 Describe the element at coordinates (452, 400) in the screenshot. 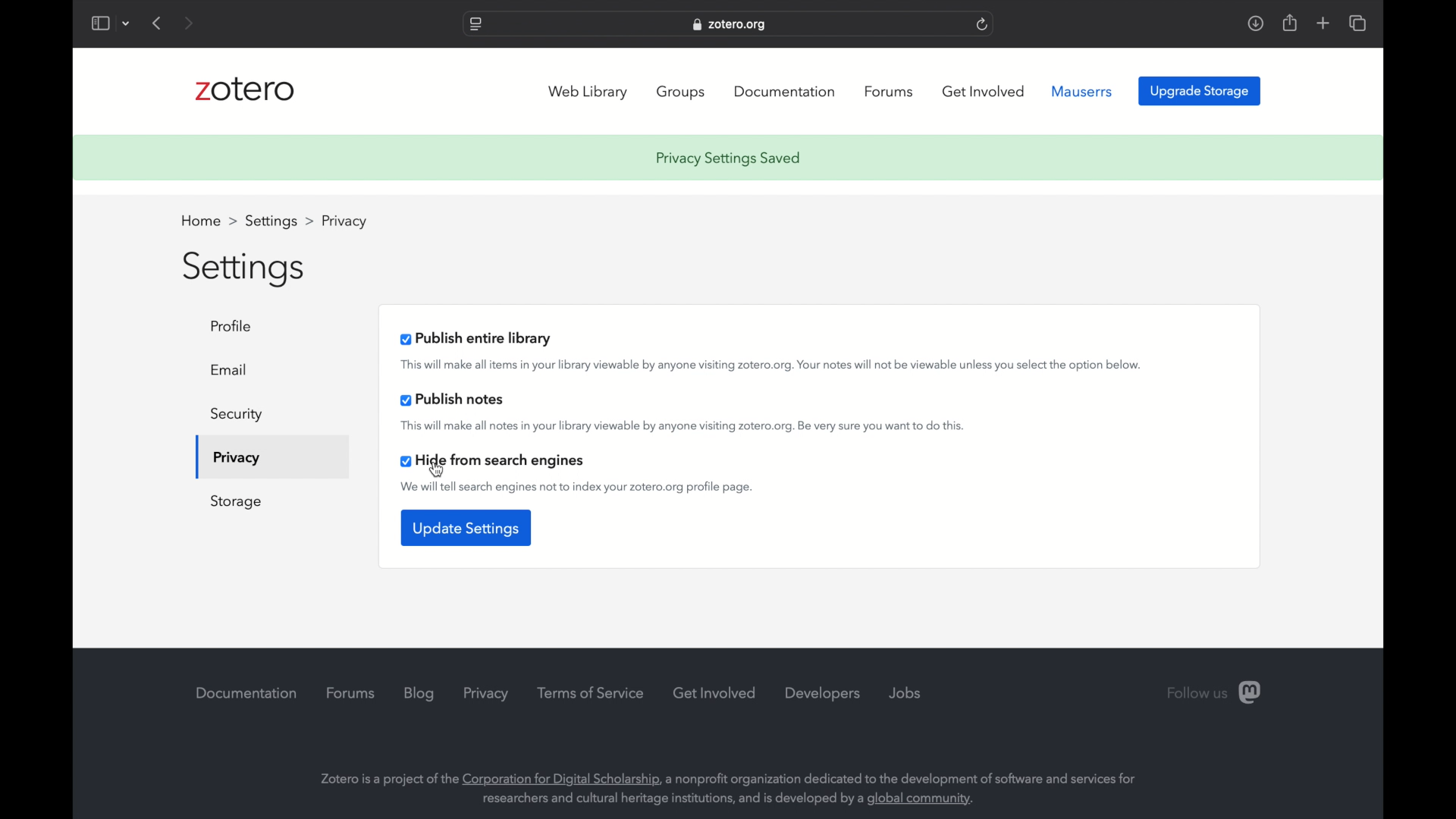

I see `publish notes` at that location.